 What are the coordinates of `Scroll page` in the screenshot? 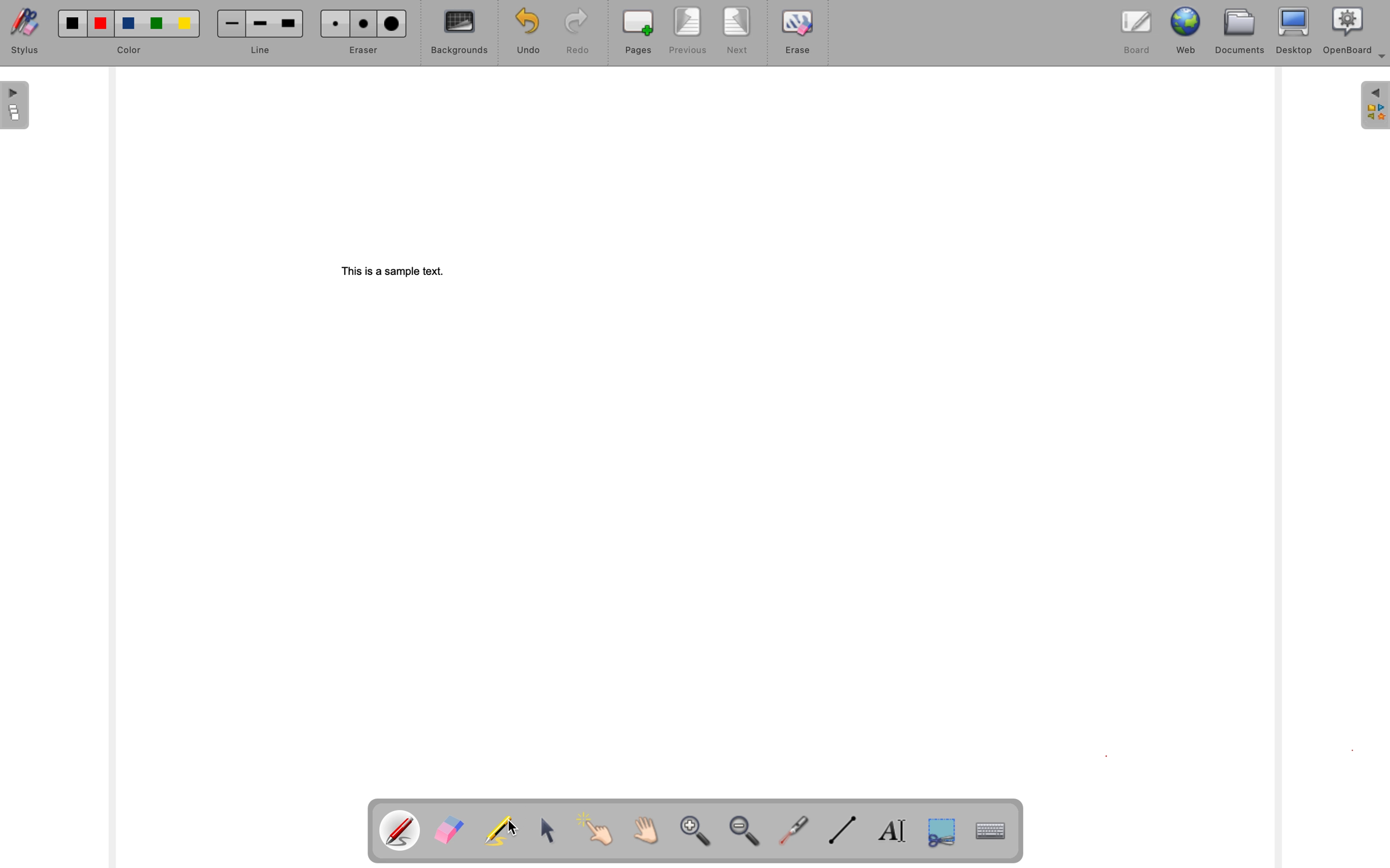 It's located at (648, 827).